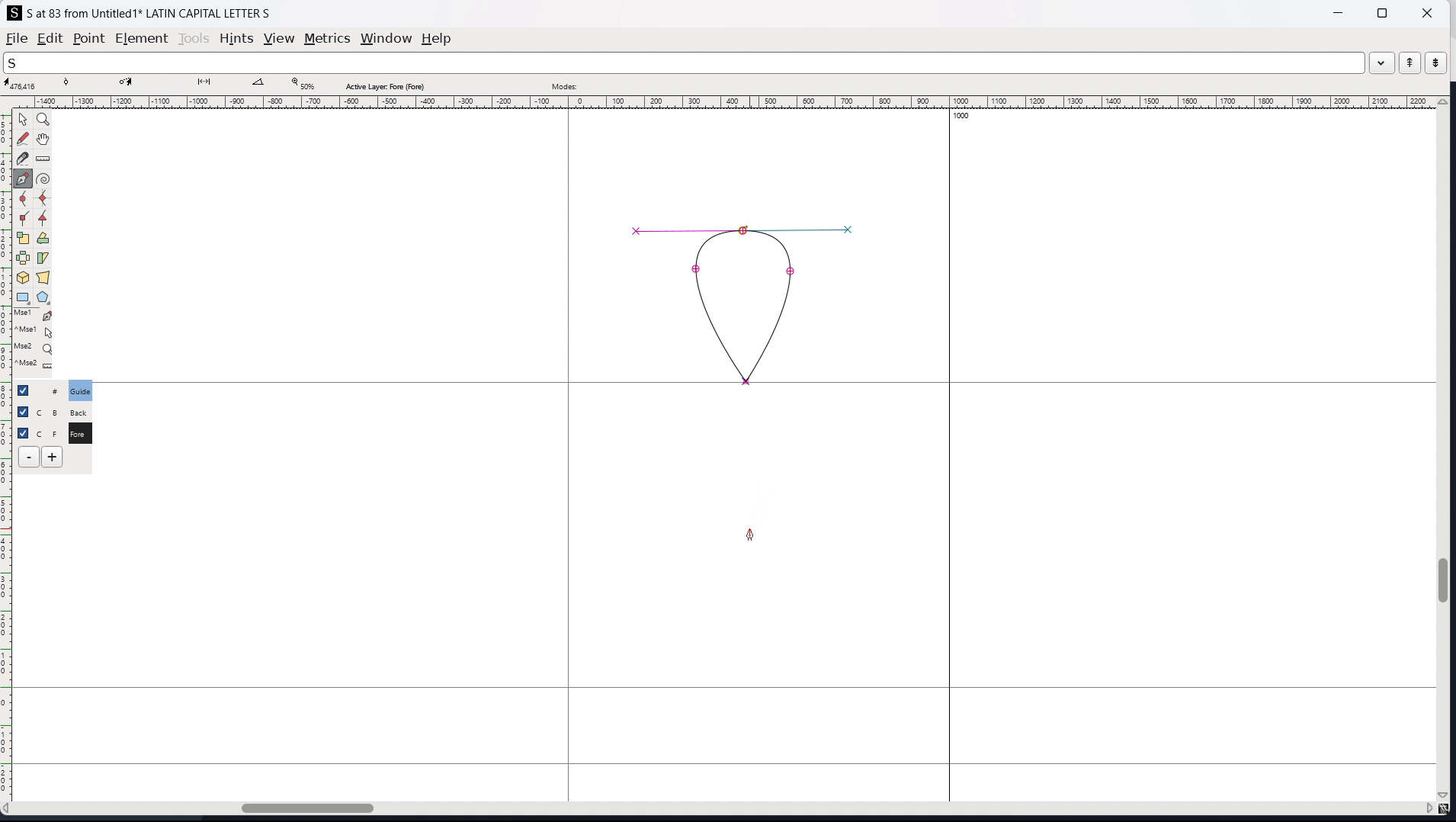 Image resolution: width=1456 pixels, height=822 pixels. I want to click on distance between points, so click(213, 83).